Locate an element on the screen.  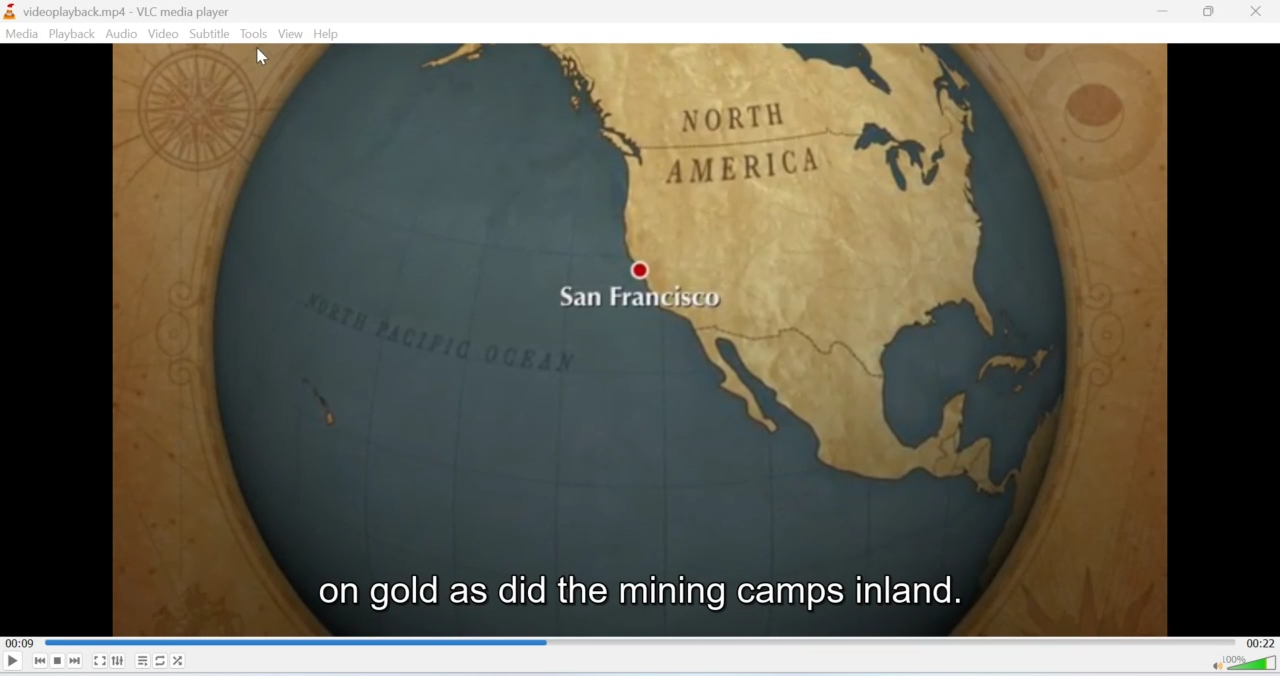
Volume is located at coordinates (1247, 664).